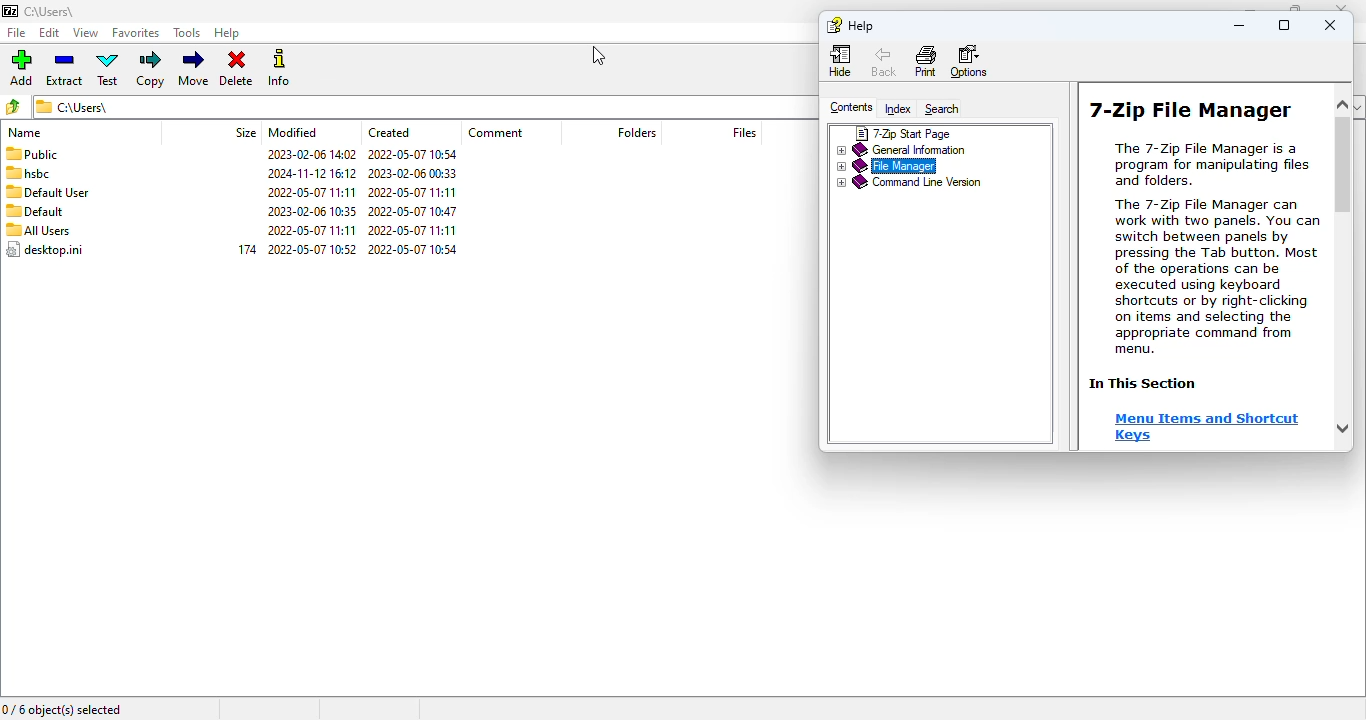 This screenshot has width=1366, height=720. I want to click on cursor, so click(598, 56).